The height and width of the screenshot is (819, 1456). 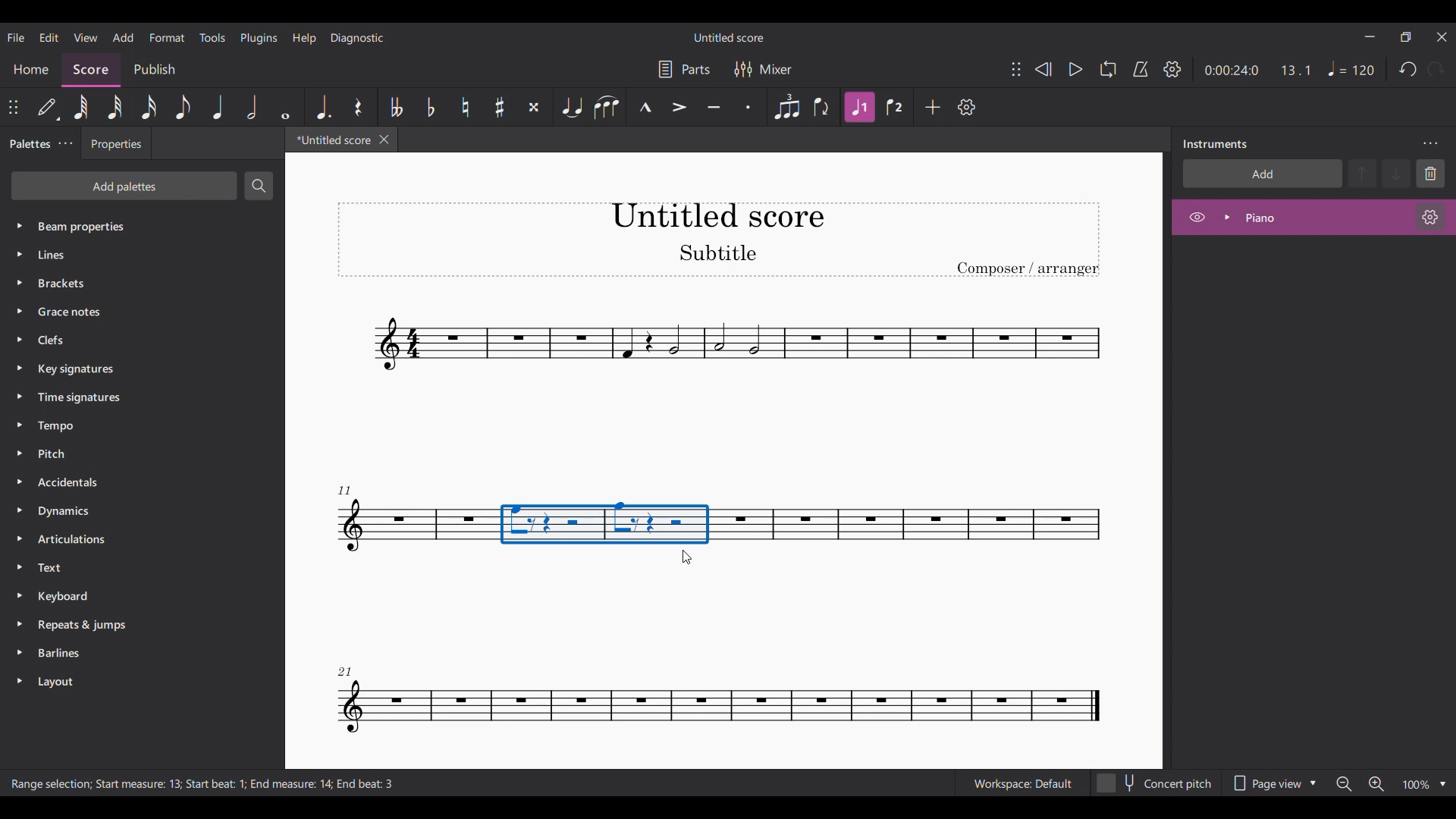 I want to click on Current zoom factor, so click(x=1417, y=784).